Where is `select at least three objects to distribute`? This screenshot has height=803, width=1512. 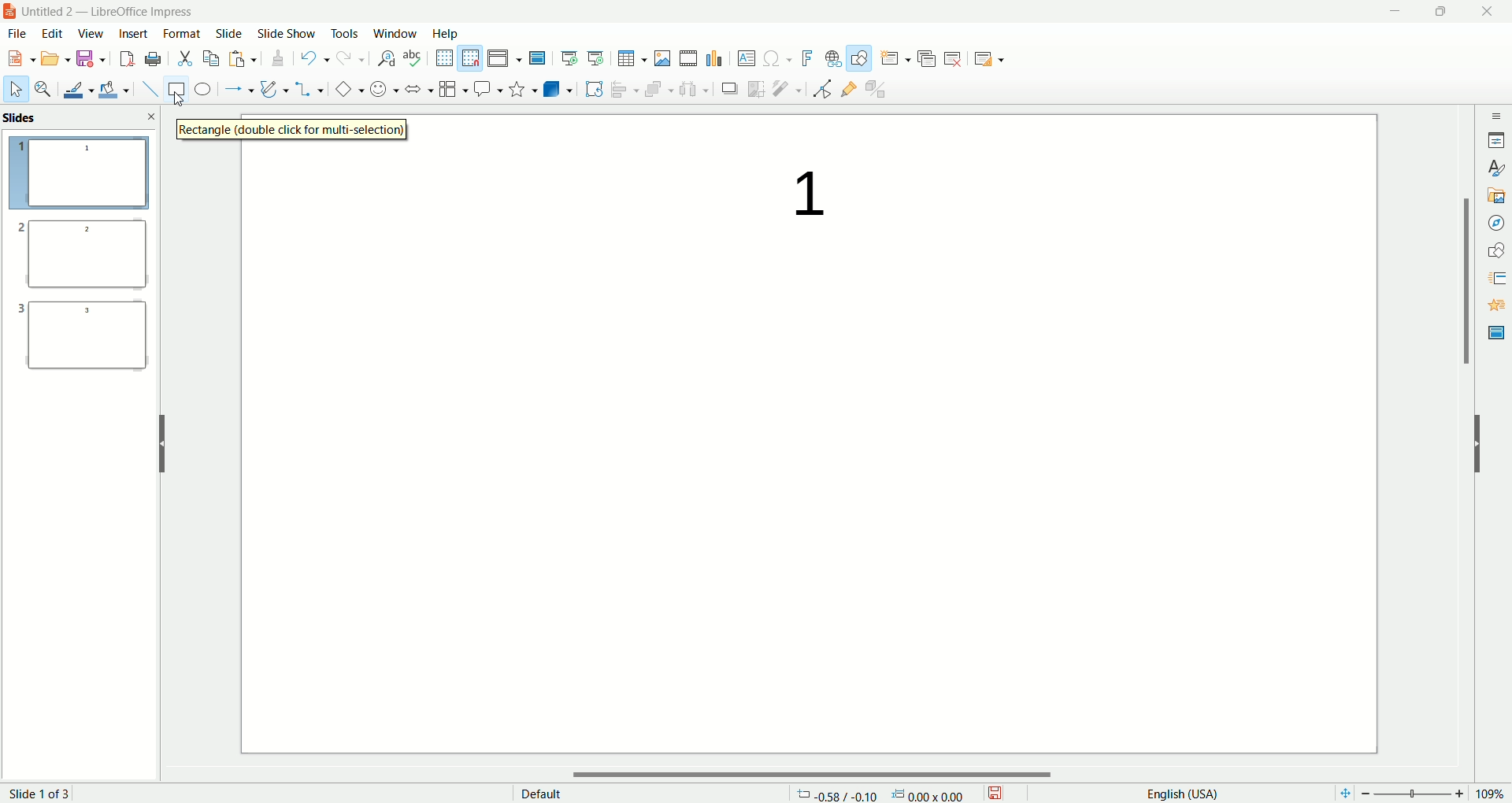 select at least three objects to distribute is located at coordinates (694, 87).